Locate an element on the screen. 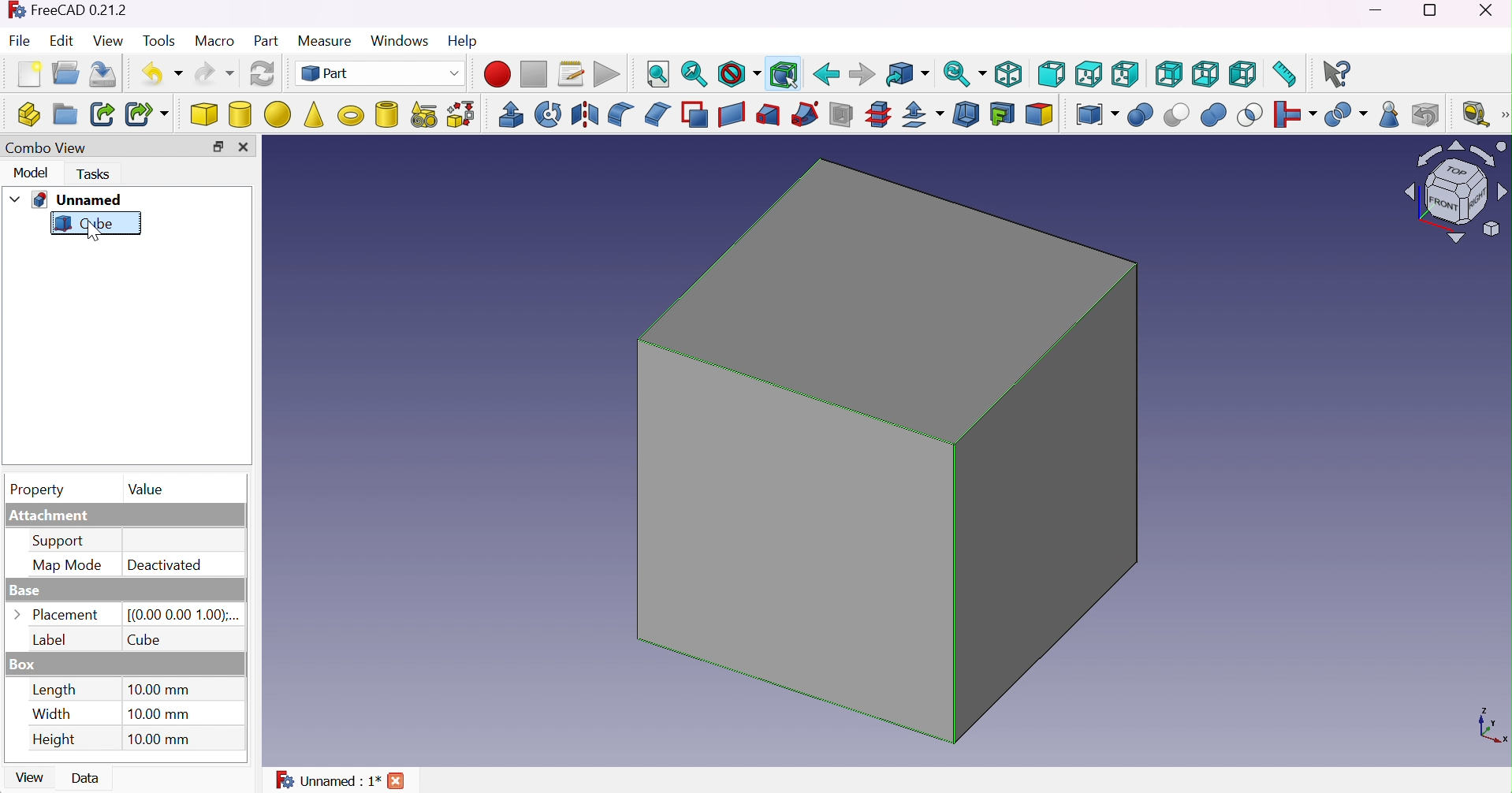  Refresh is located at coordinates (263, 75).